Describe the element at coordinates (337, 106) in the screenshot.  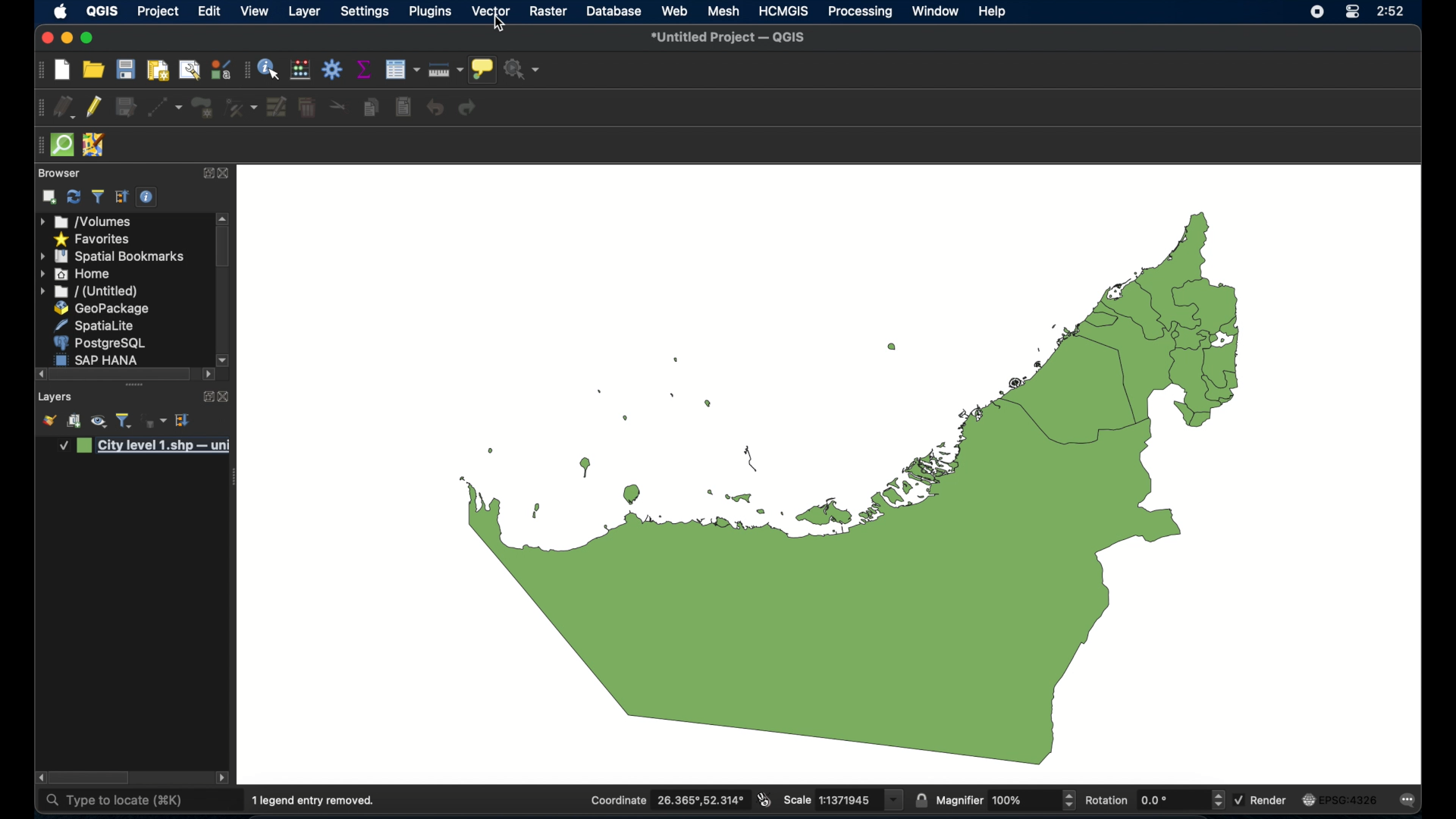
I see `cut features` at that location.